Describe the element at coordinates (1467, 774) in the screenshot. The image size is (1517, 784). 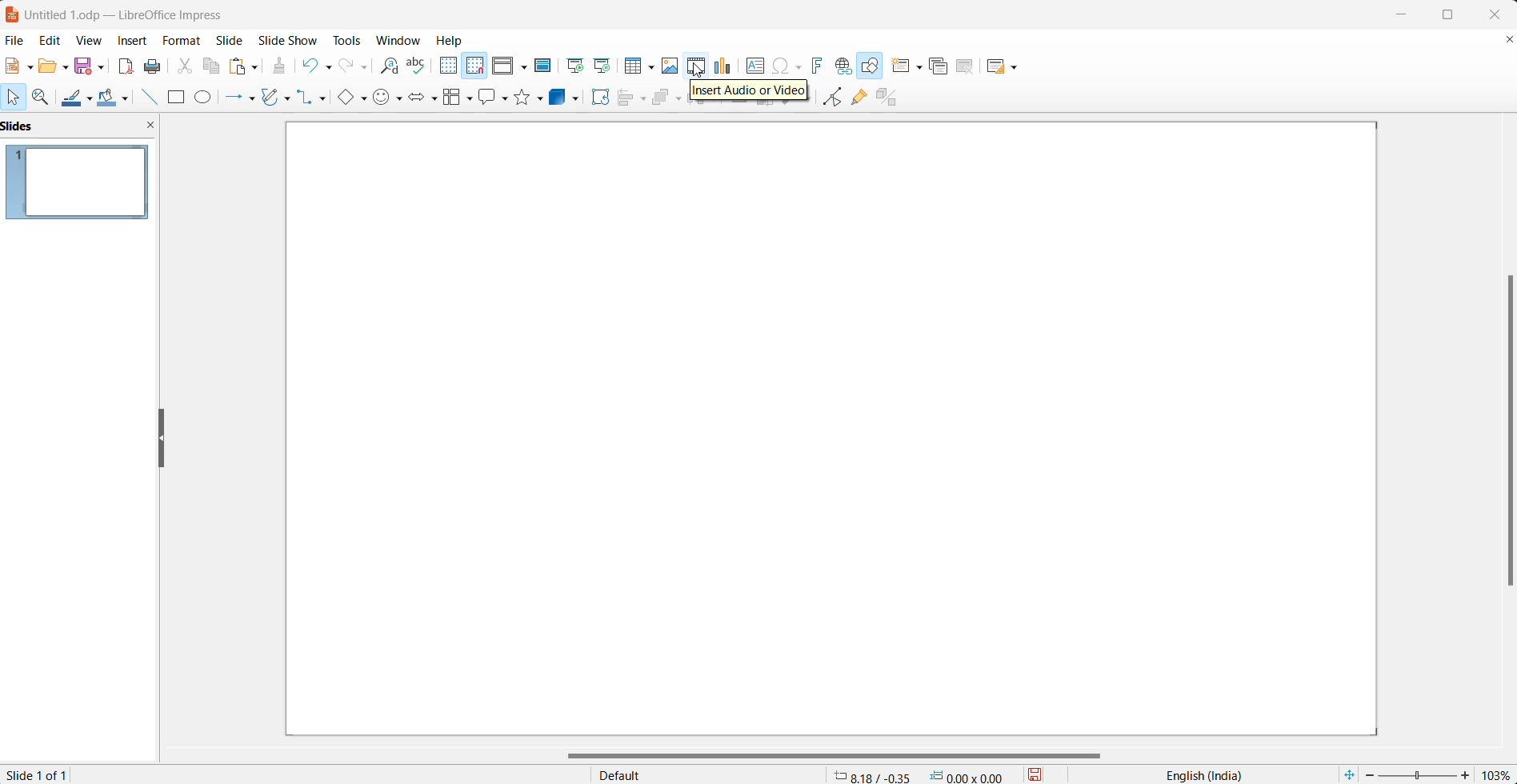
I see `increase zoom` at that location.